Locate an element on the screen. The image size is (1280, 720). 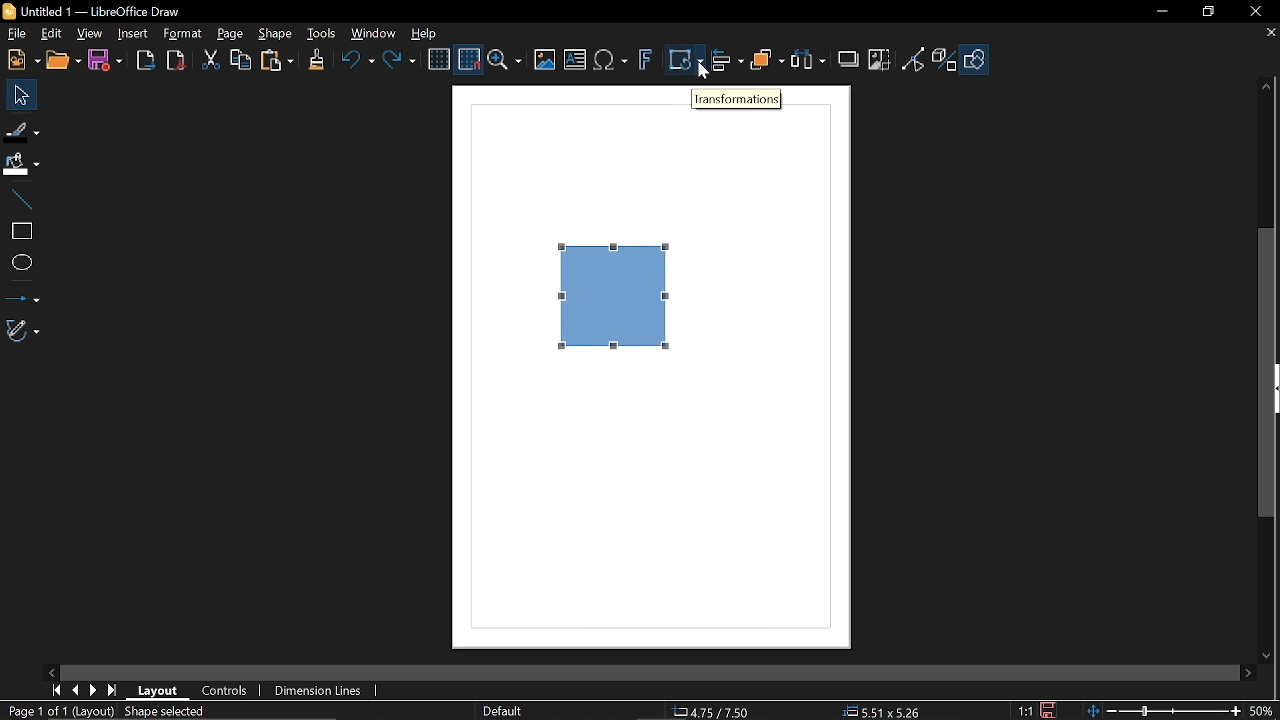
Window is located at coordinates (374, 33).